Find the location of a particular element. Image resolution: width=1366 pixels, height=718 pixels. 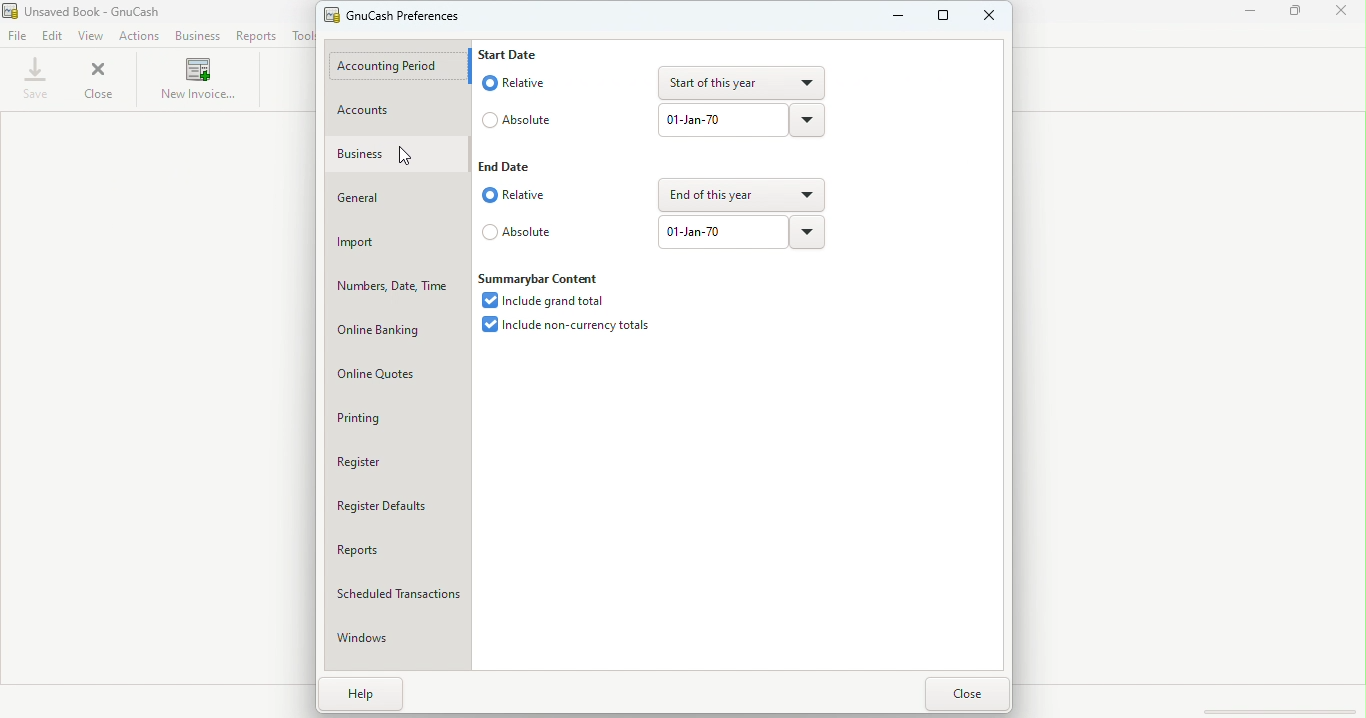

Minimize is located at coordinates (1242, 16).